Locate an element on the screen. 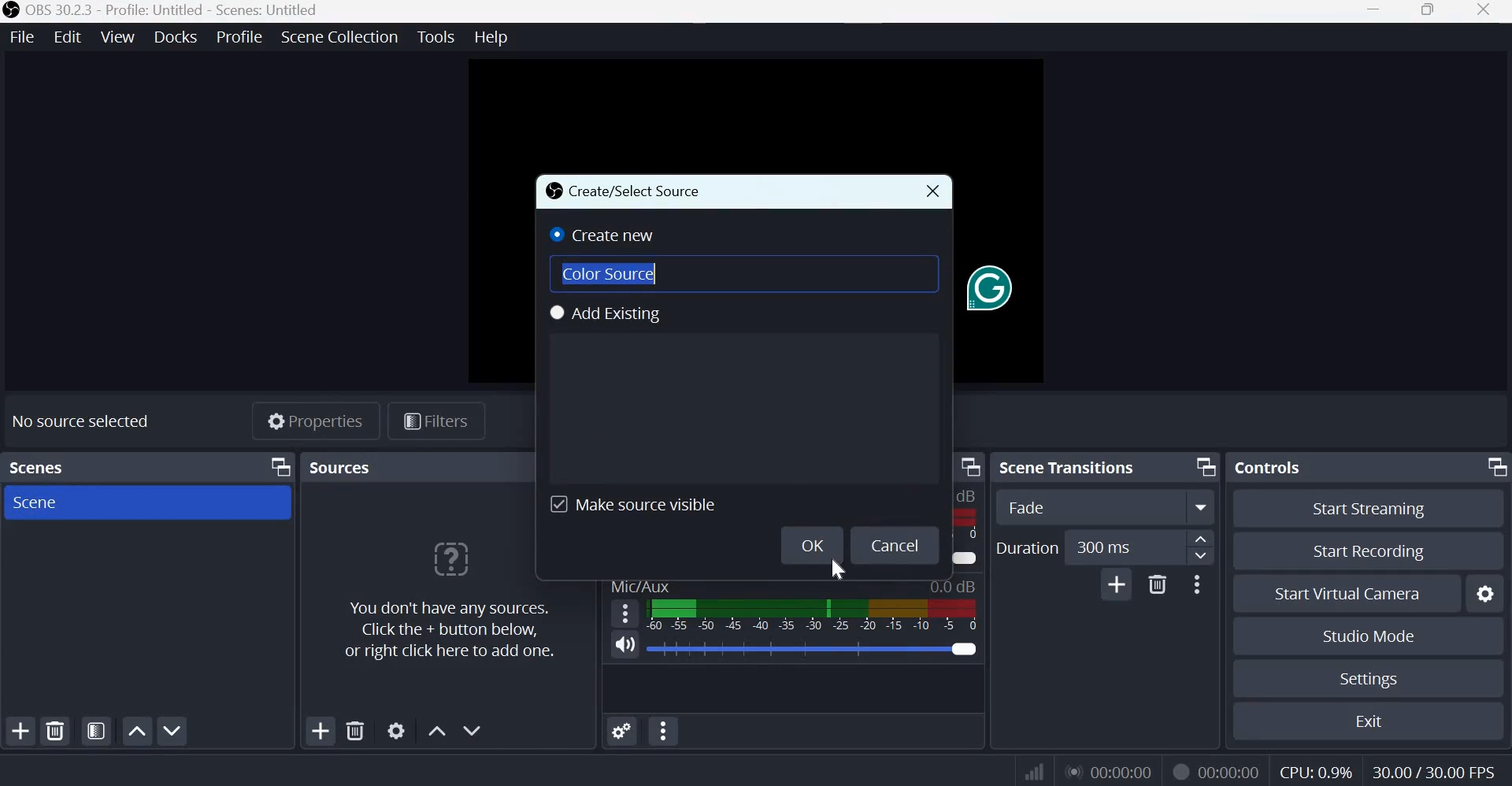 The height and width of the screenshot is (786, 1512). Sources is located at coordinates (343, 466).